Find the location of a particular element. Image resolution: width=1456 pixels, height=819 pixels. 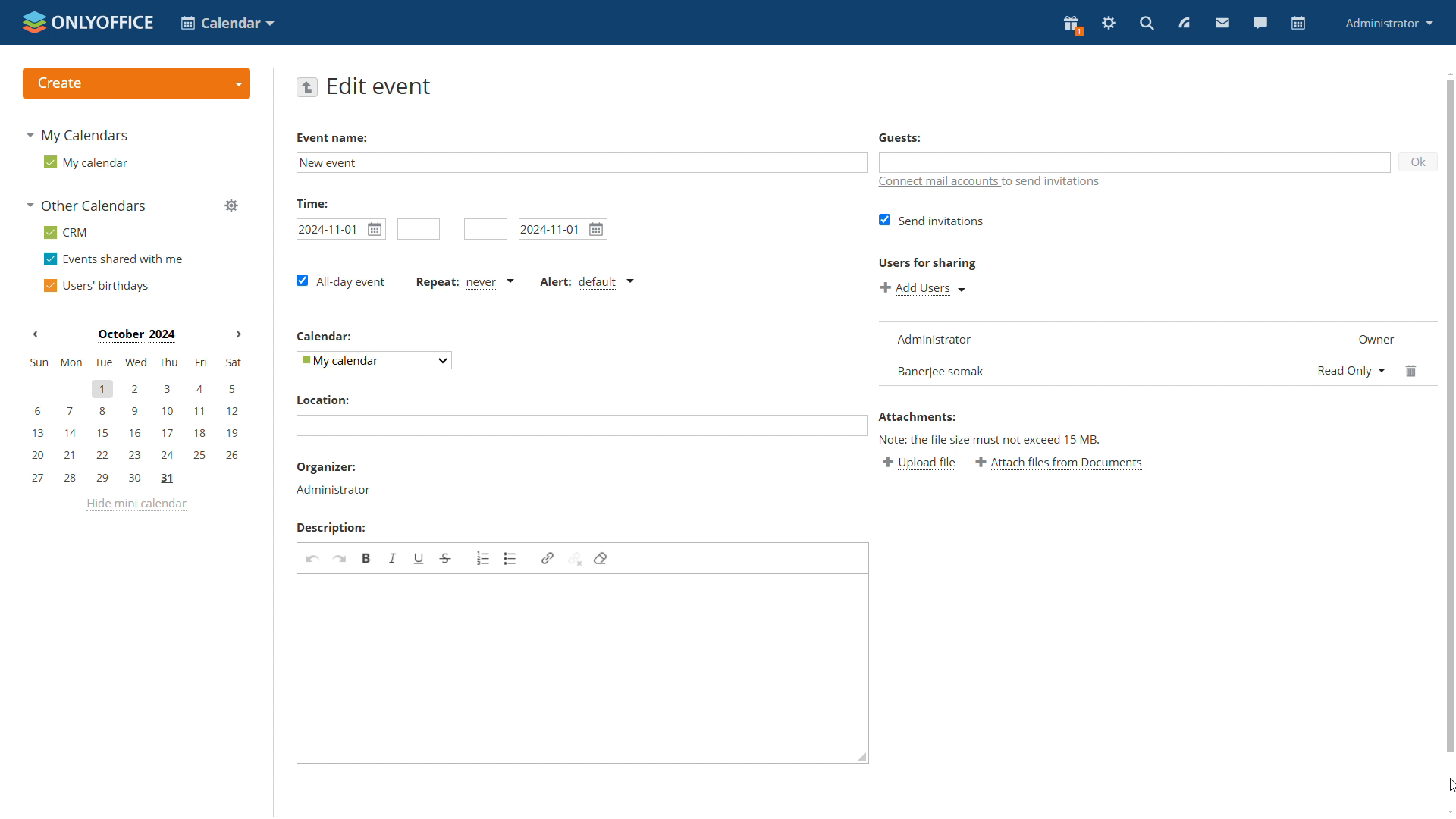

scrollbar is located at coordinates (1450, 416).